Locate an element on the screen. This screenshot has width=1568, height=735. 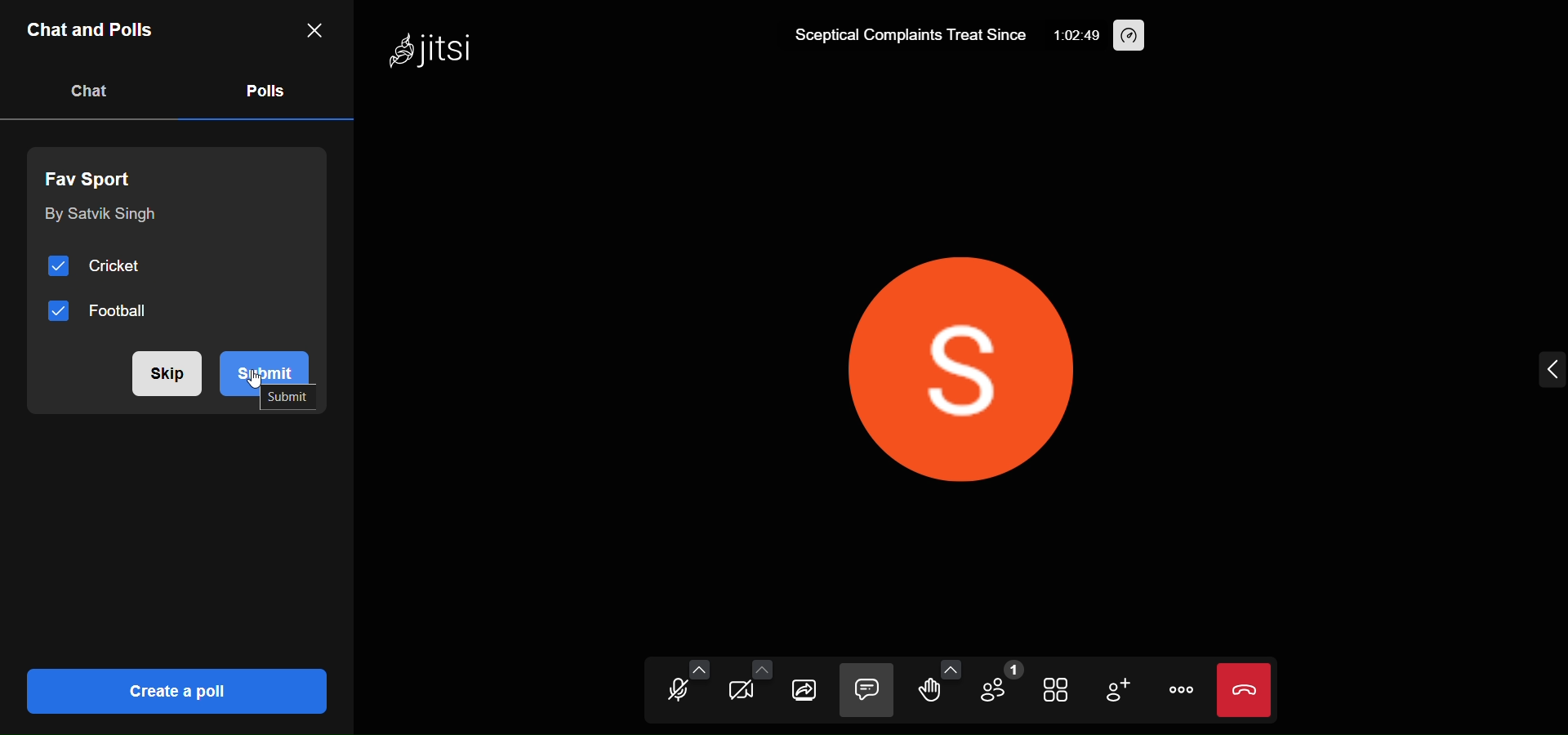
leave call is located at coordinates (1244, 690).